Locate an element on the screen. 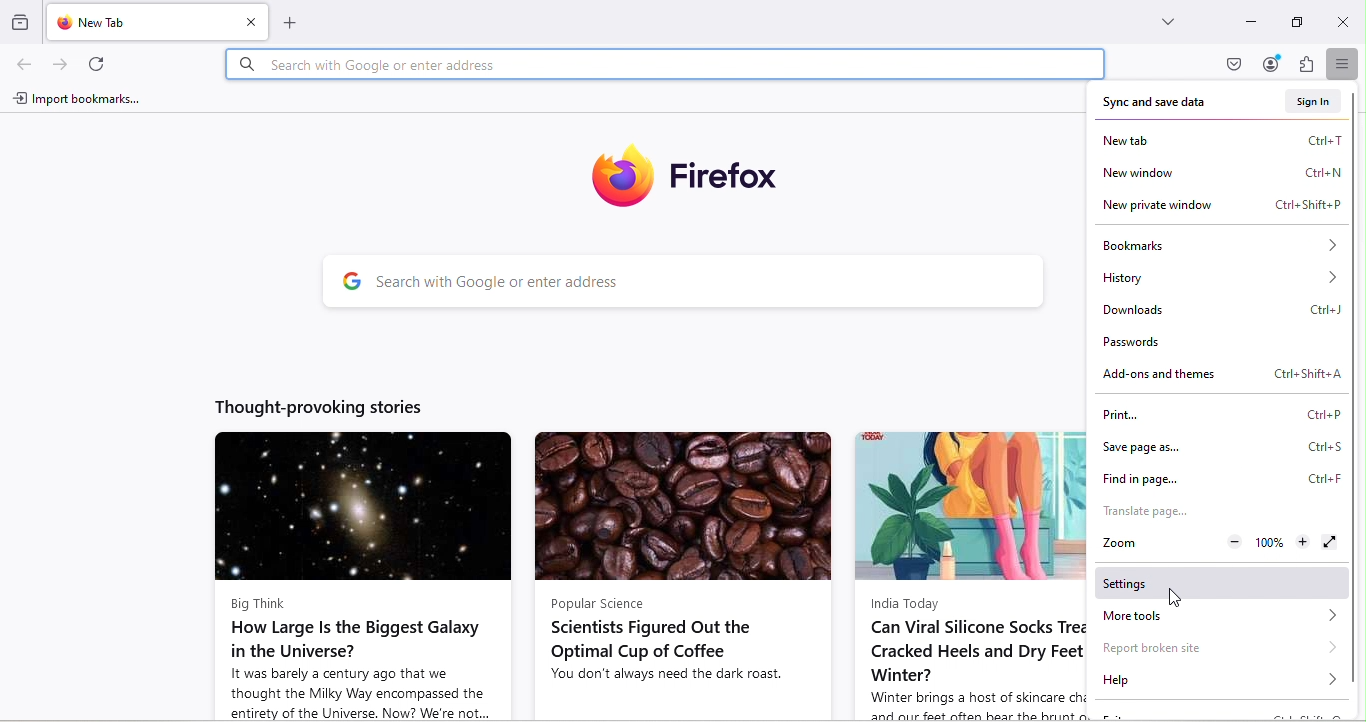 The height and width of the screenshot is (722, 1366). New tab is located at coordinates (131, 24).